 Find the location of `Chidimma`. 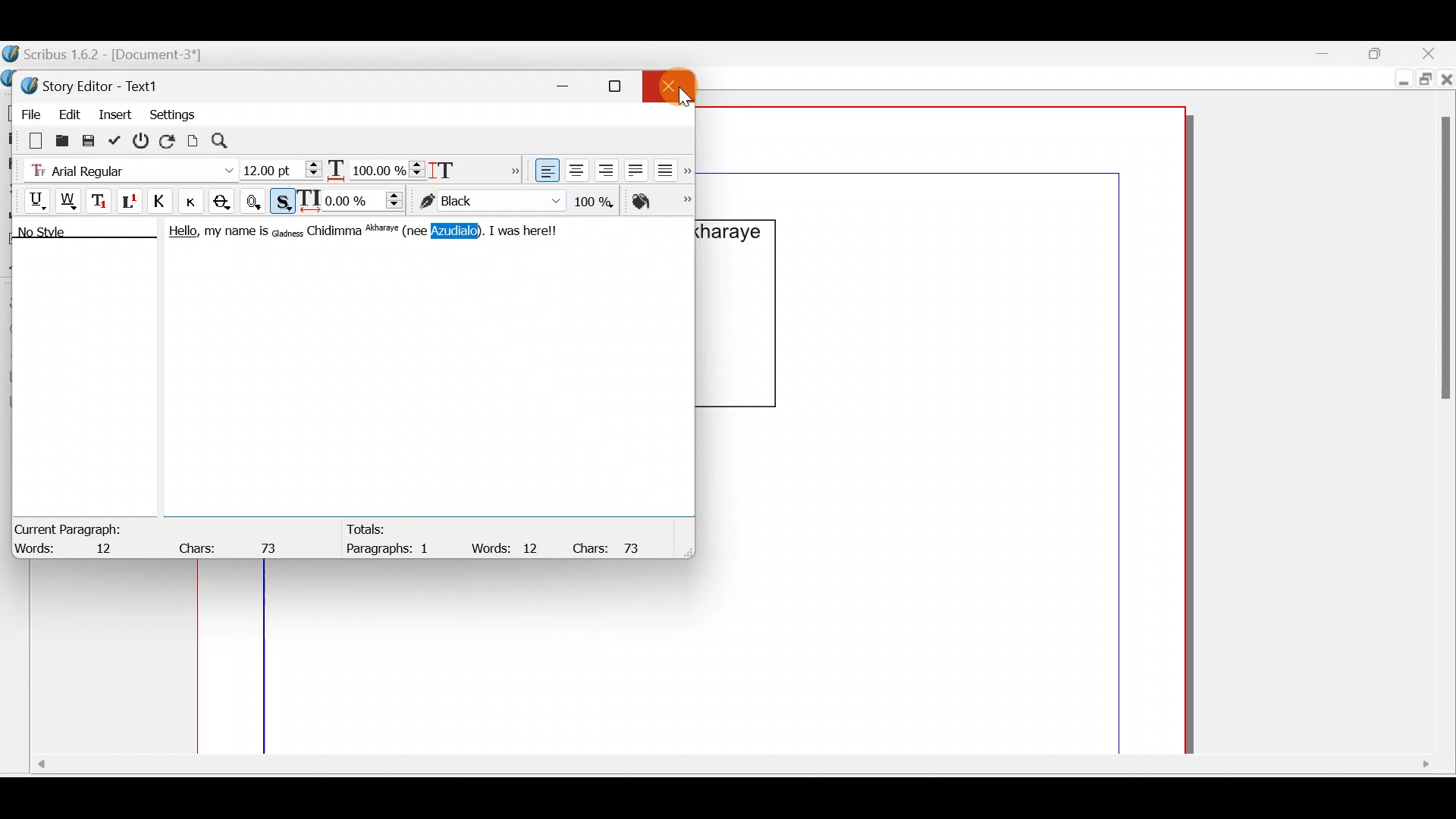

Chidimma is located at coordinates (335, 231).